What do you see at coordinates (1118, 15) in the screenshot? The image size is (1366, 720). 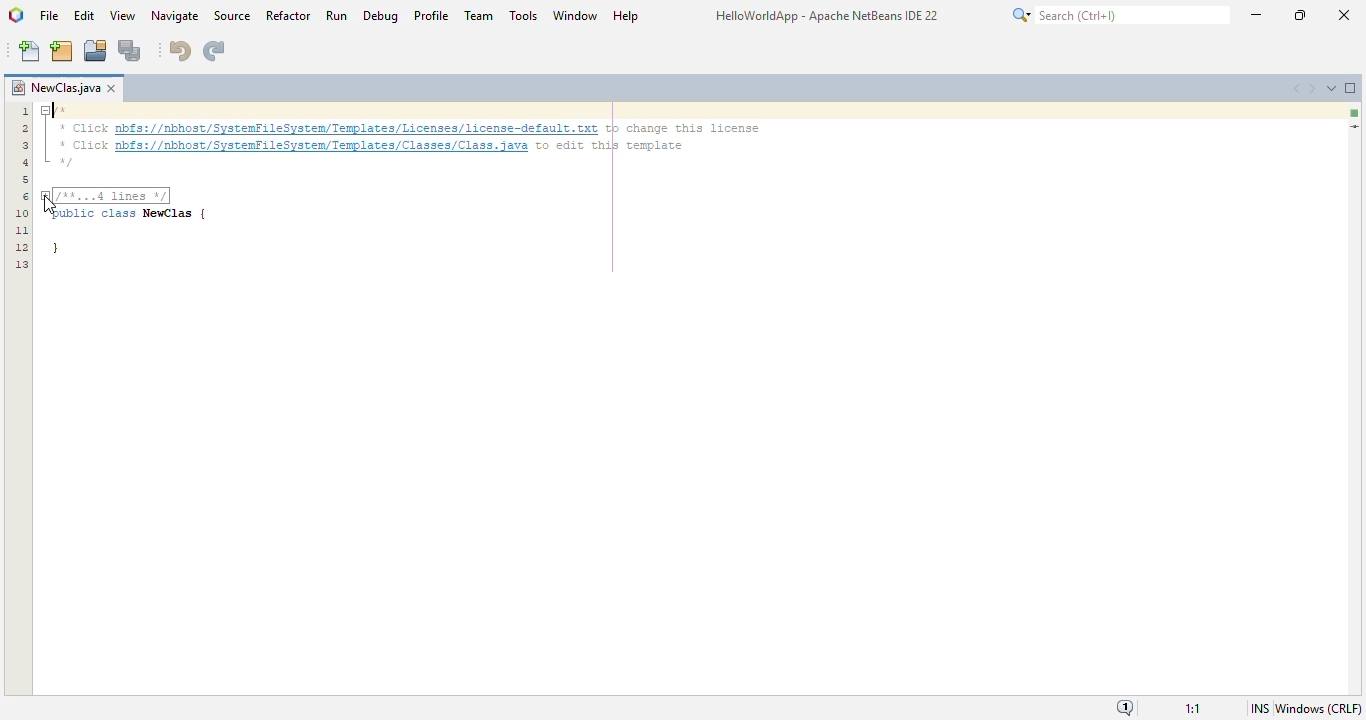 I see `search` at bounding box center [1118, 15].